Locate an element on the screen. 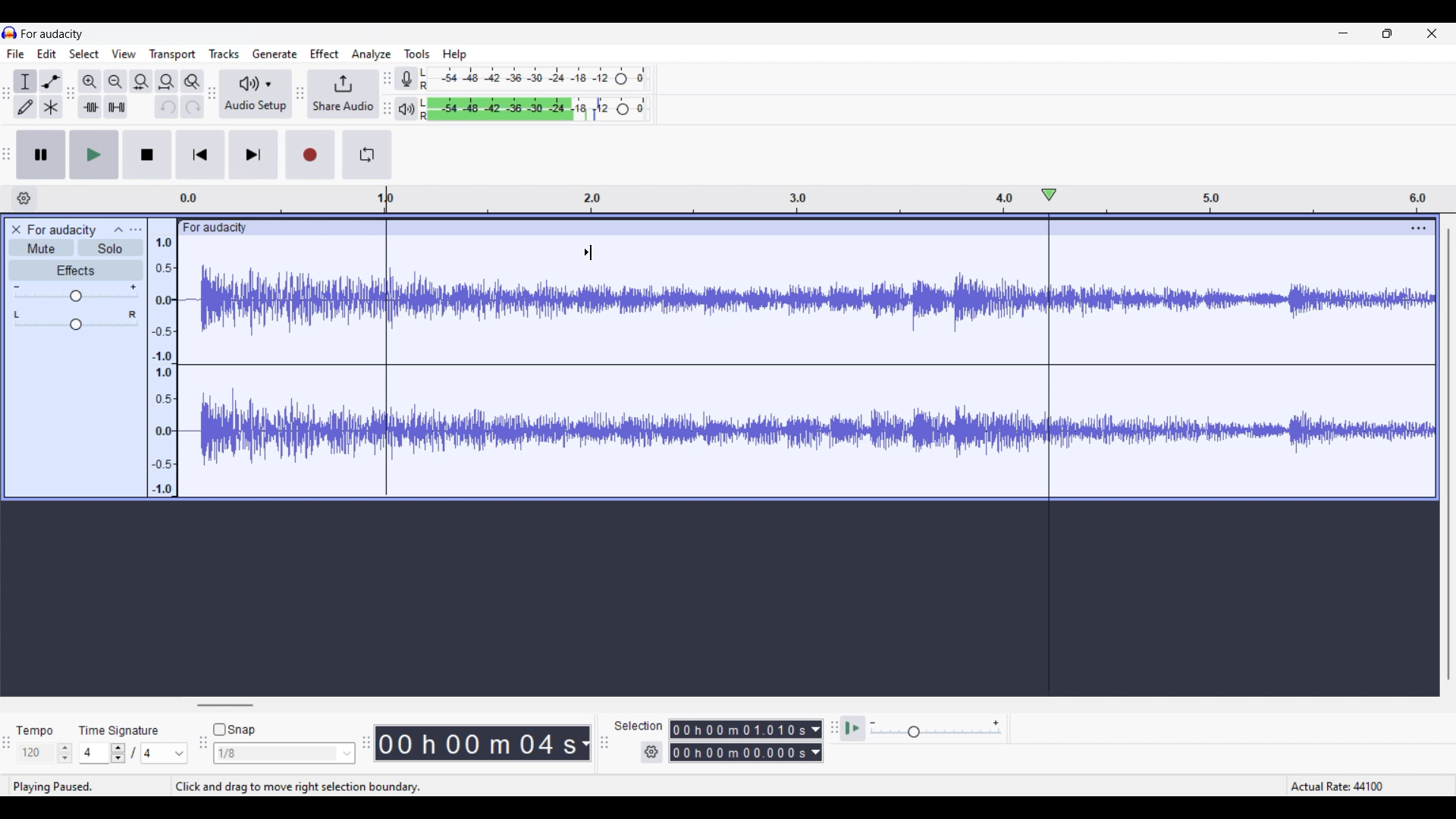  Skip/Select to start is located at coordinates (200, 155).